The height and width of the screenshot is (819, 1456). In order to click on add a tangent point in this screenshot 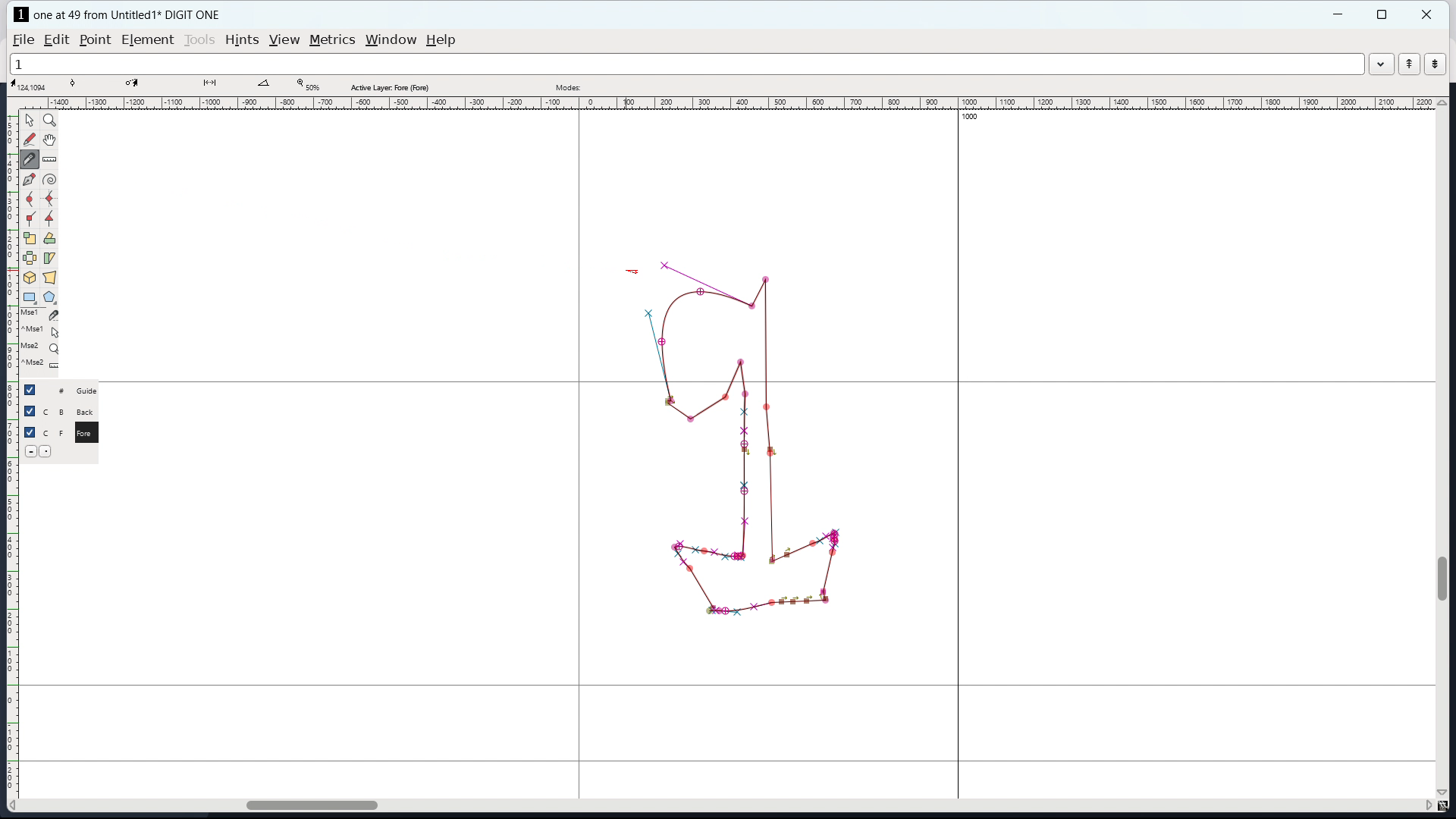, I will do `click(51, 218)`.